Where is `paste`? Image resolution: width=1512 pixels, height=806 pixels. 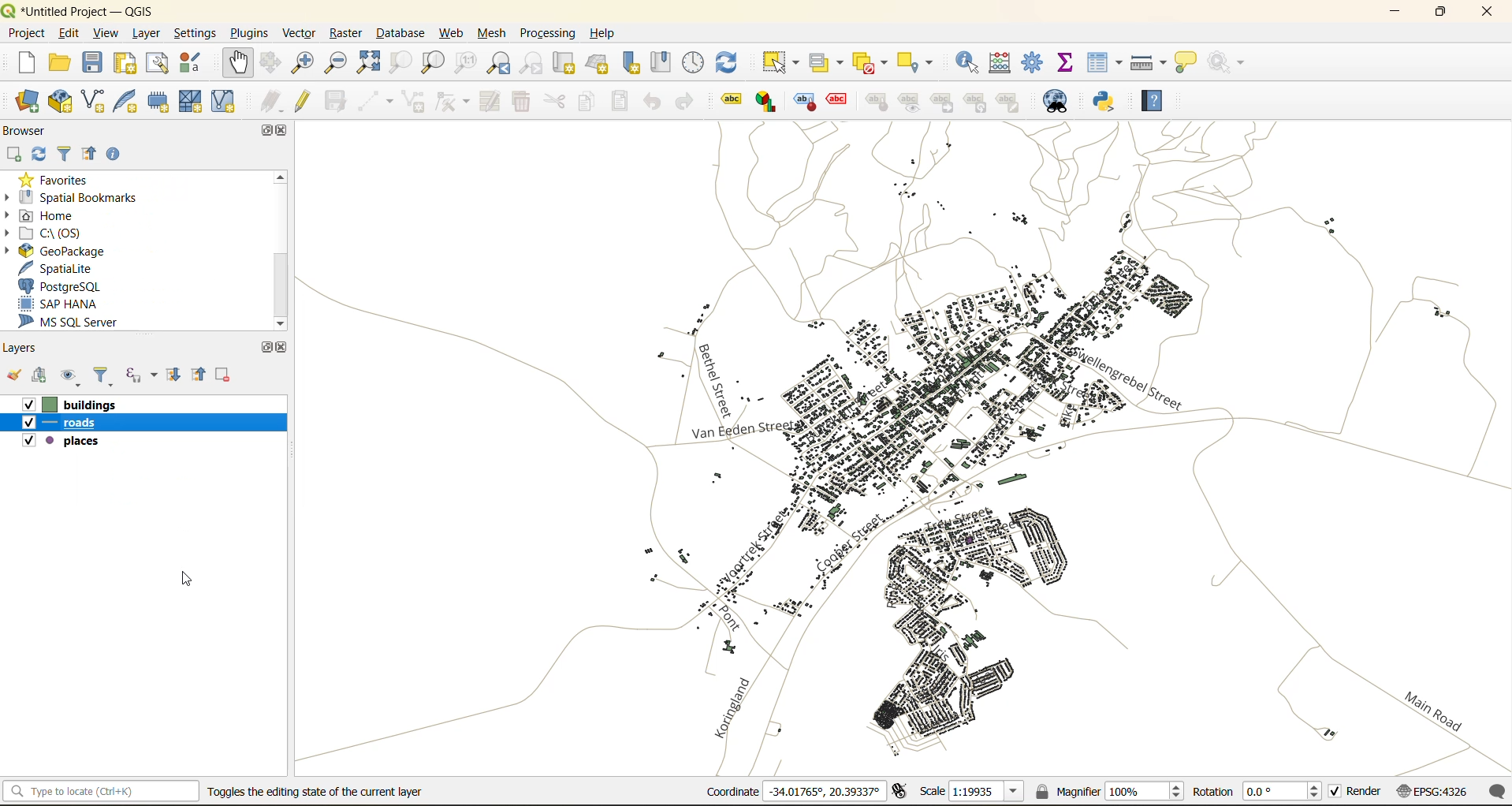
paste is located at coordinates (619, 103).